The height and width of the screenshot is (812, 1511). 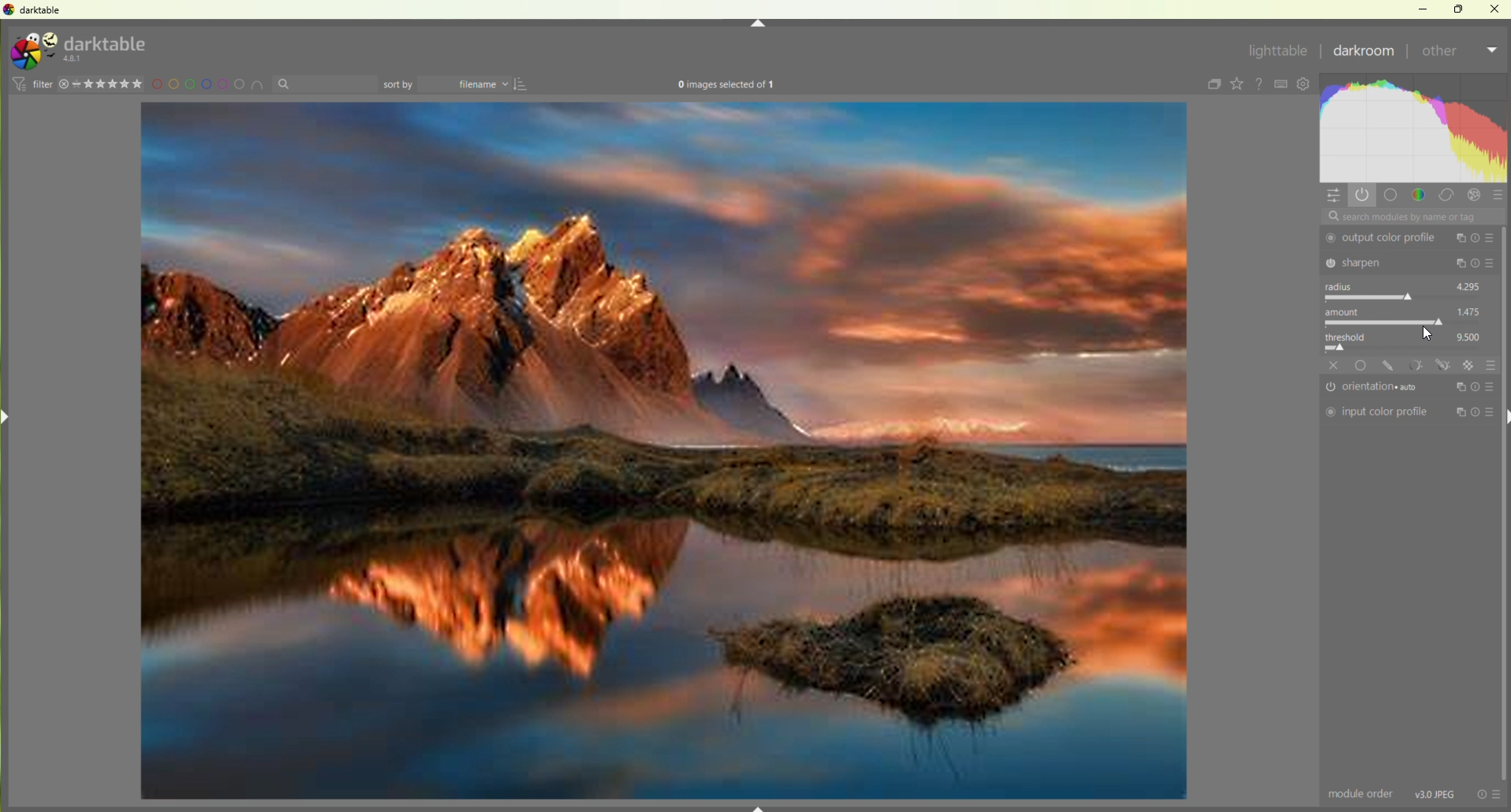 I want to click on actions, so click(x=1489, y=794).